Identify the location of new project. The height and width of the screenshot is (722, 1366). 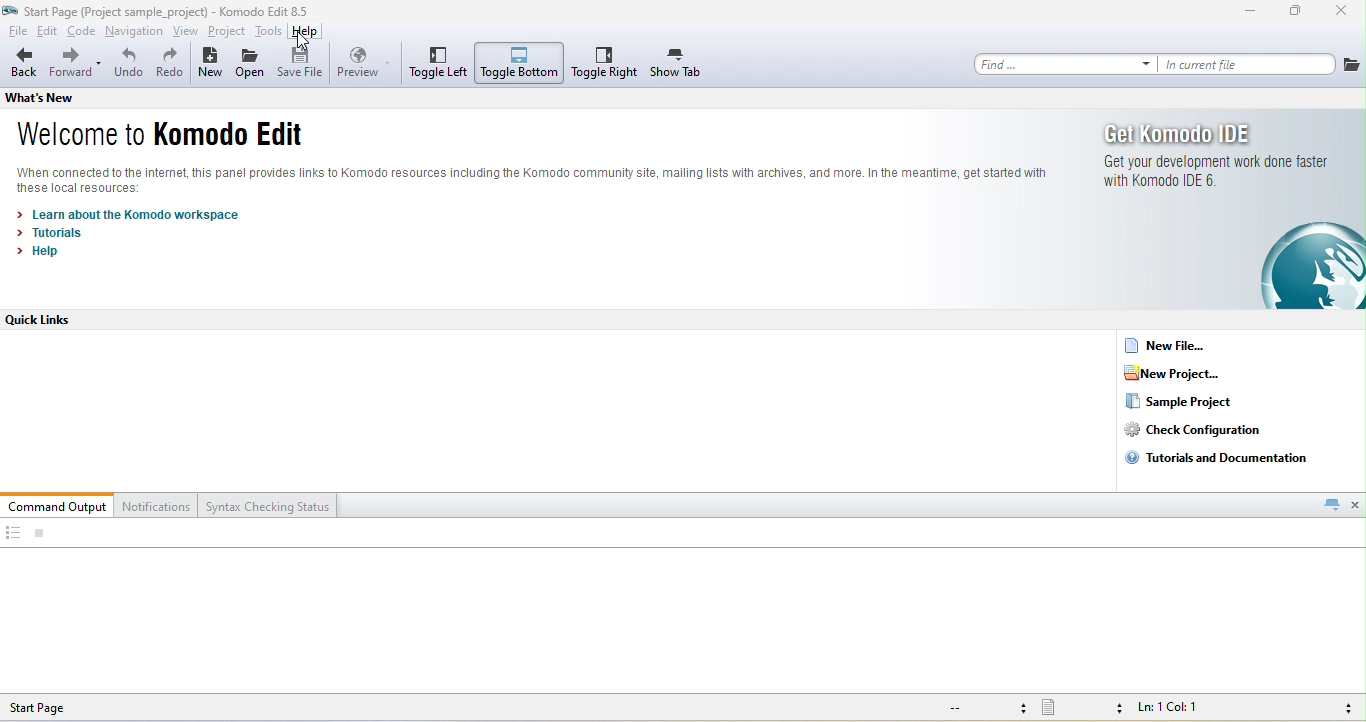
(1185, 373).